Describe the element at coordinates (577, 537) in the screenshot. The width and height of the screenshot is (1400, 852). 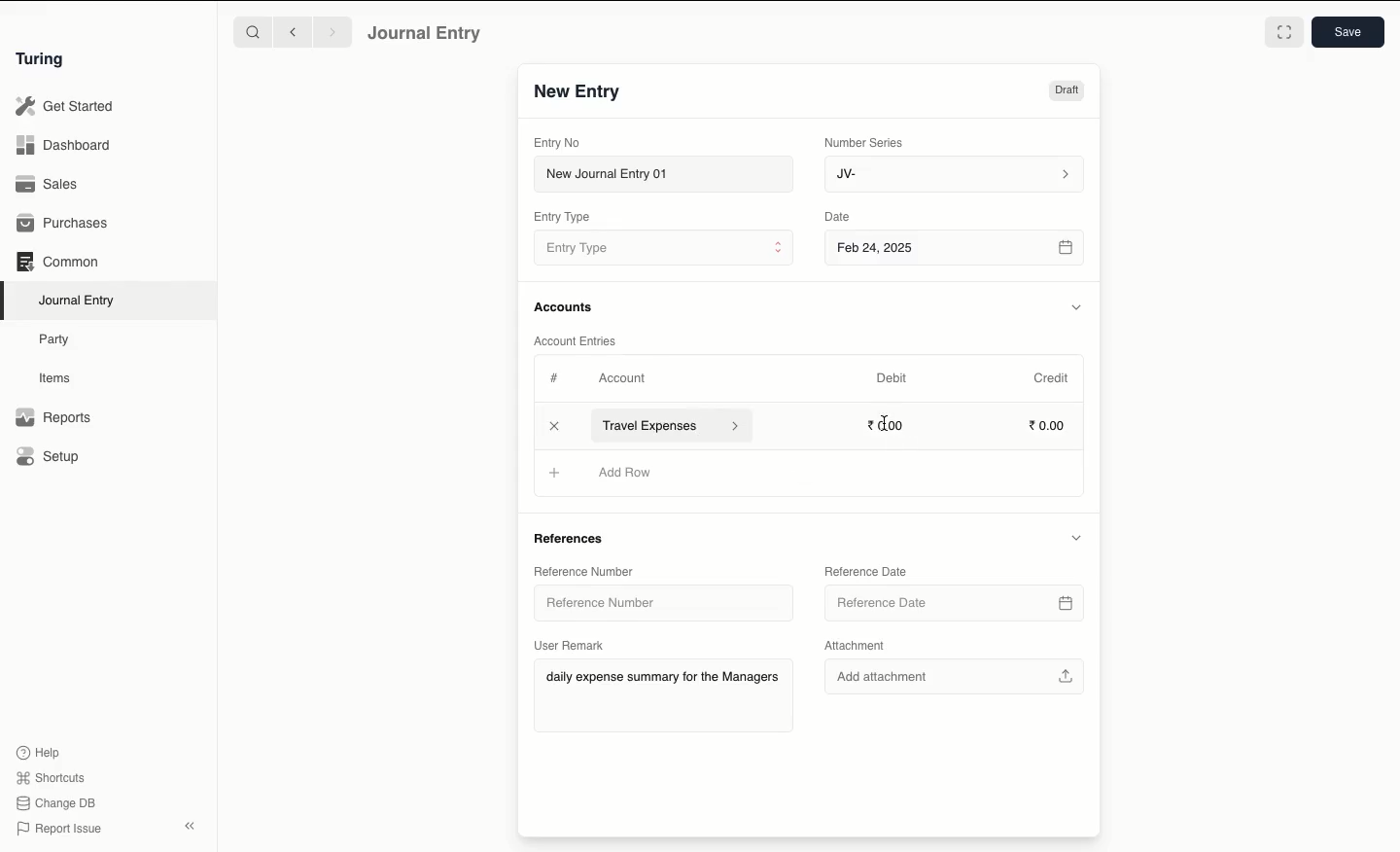
I see `References` at that location.